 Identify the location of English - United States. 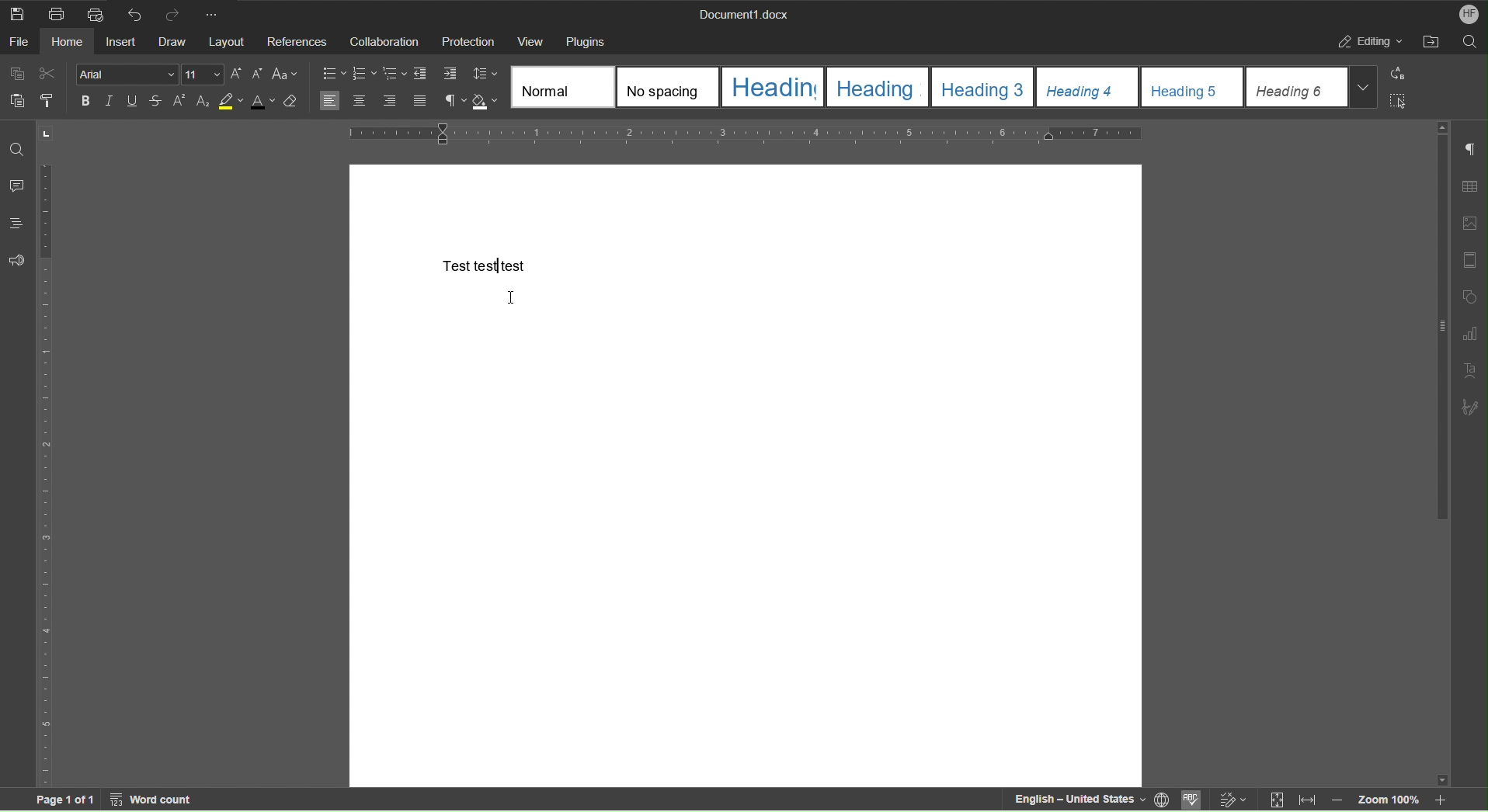
(1078, 800).